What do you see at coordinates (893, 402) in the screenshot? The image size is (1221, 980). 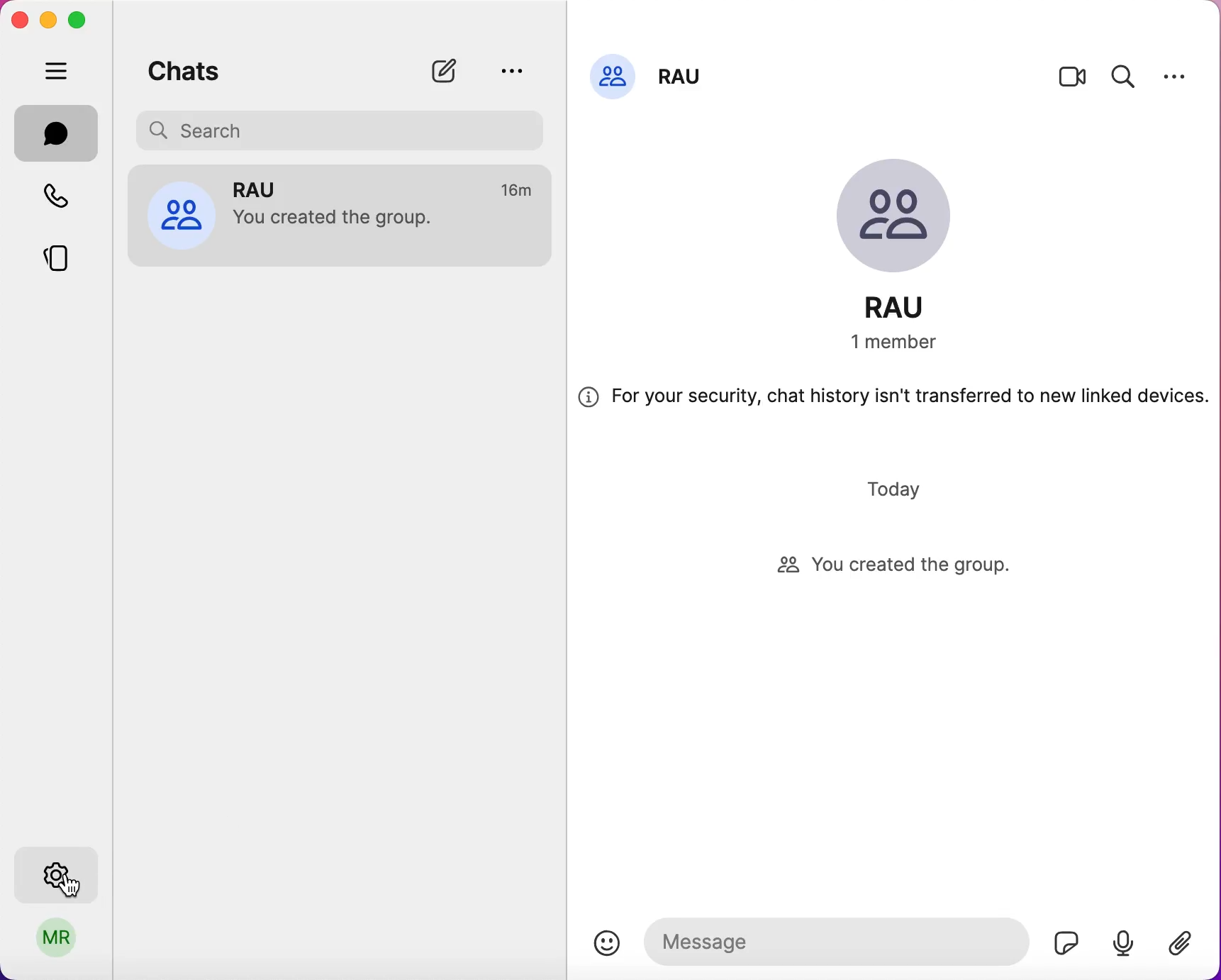 I see `for your security, chat history isn't transferred` at bounding box center [893, 402].